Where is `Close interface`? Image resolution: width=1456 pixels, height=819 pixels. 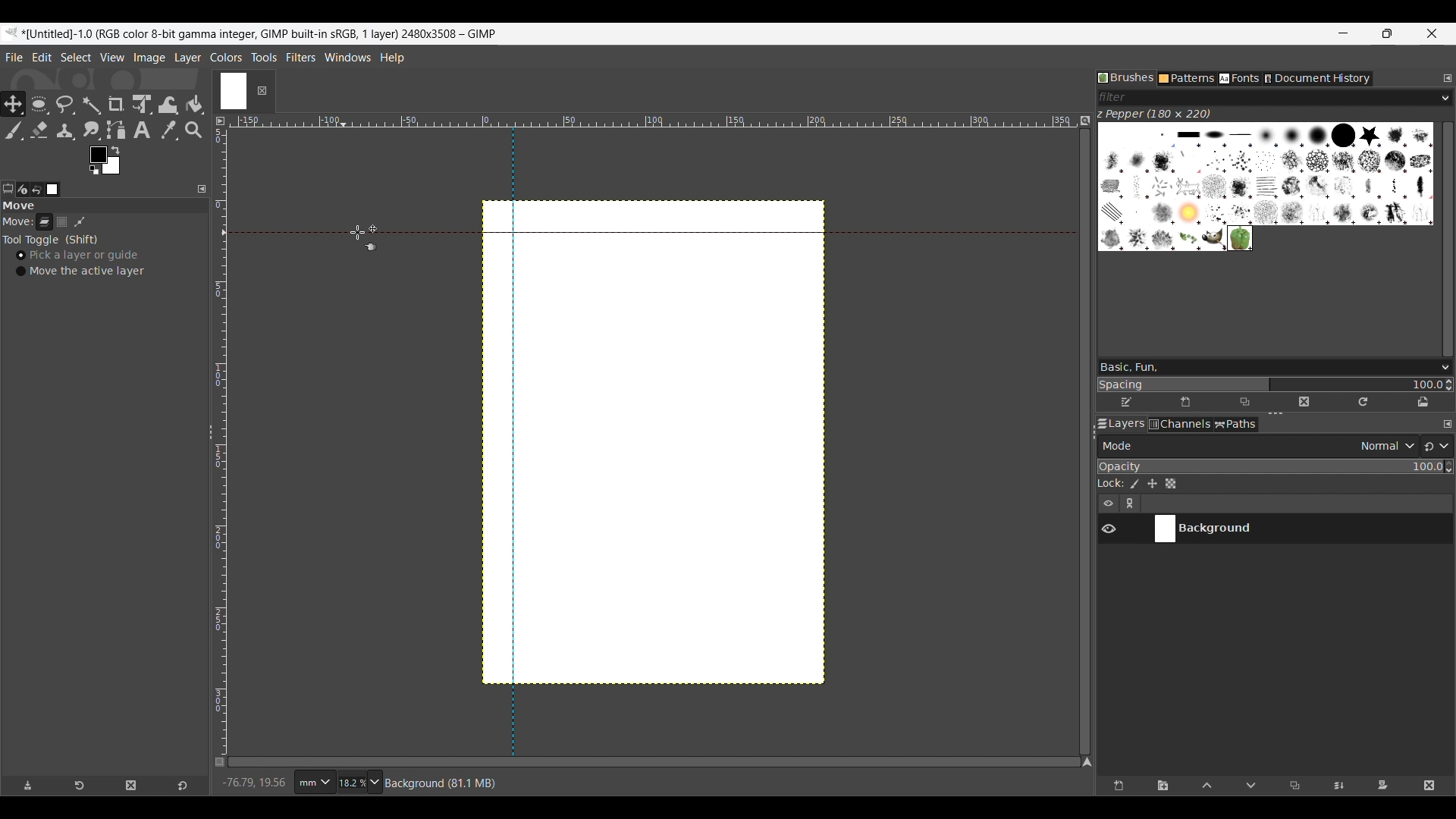 Close interface is located at coordinates (1431, 33).